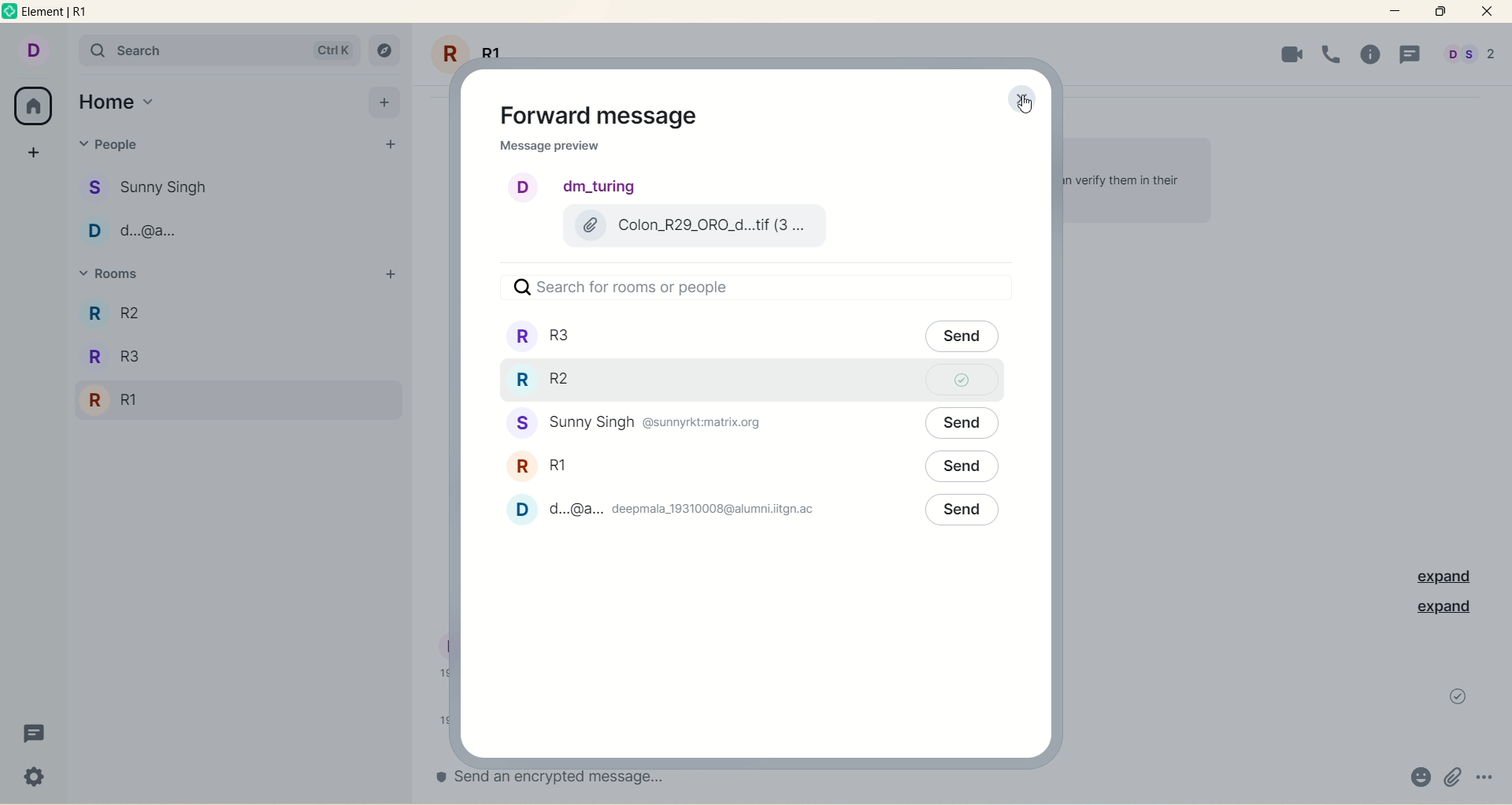 The image size is (1512, 805). Describe the element at coordinates (1418, 779) in the screenshot. I see `emoji` at that location.